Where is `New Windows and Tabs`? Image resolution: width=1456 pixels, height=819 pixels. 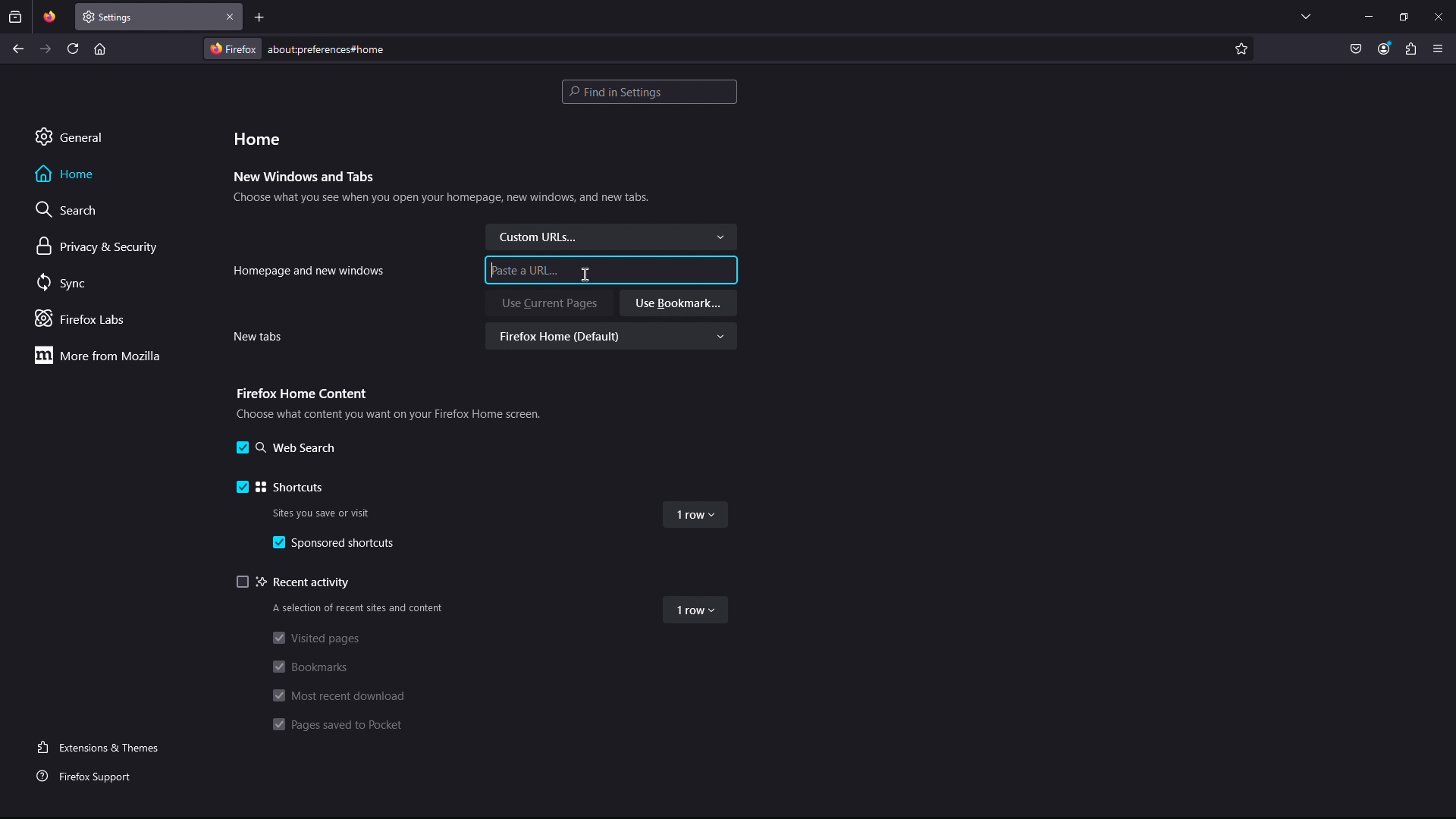
New Windows and Tabs is located at coordinates (305, 177).